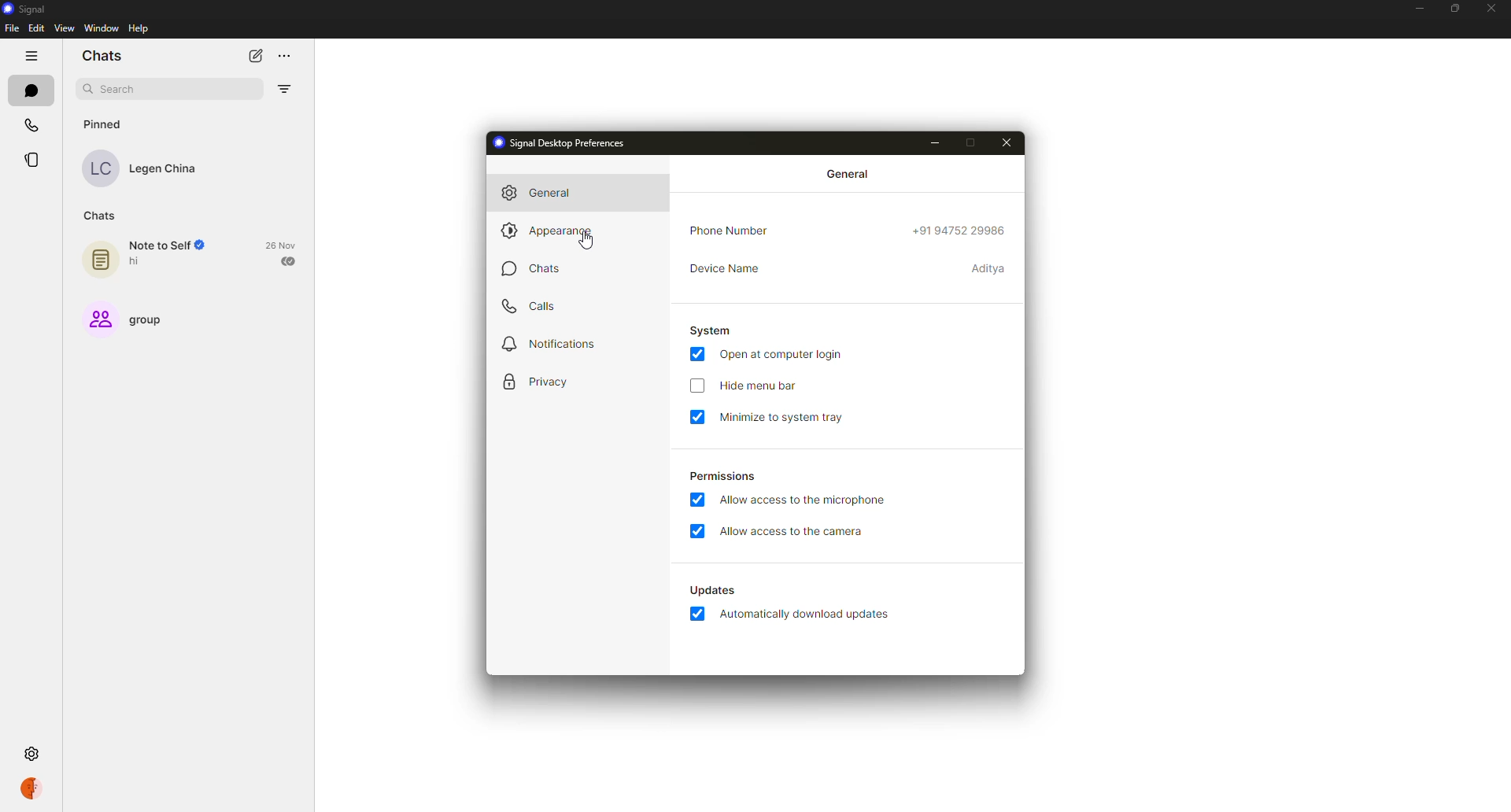  I want to click on automatically download updates, so click(801, 617).